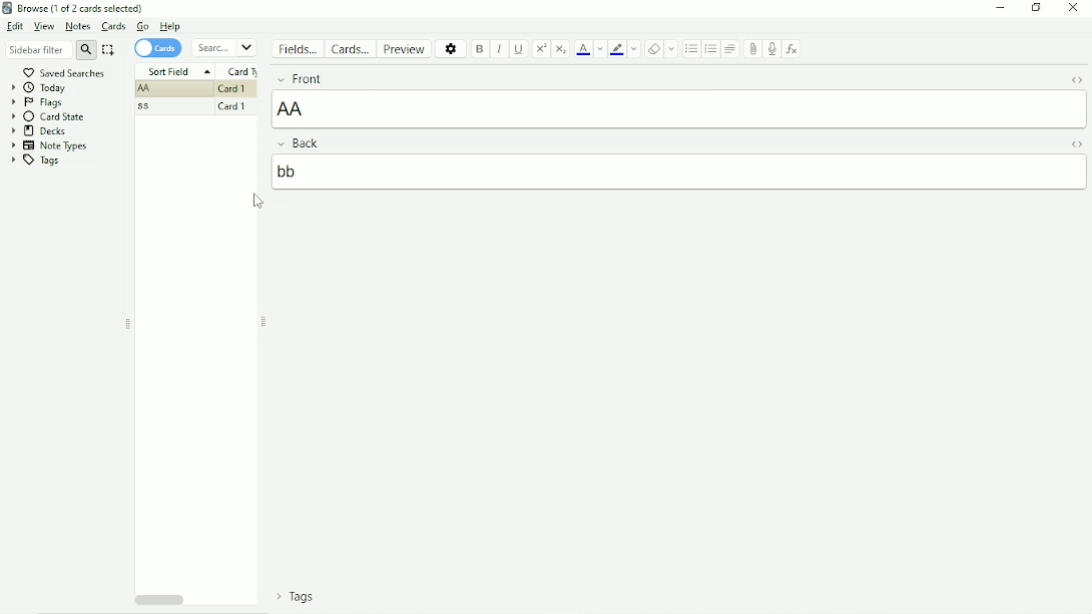 This screenshot has height=614, width=1092. Describe the element at coordinates (114, 27) in the screenshot. I see `Cards` at that location.